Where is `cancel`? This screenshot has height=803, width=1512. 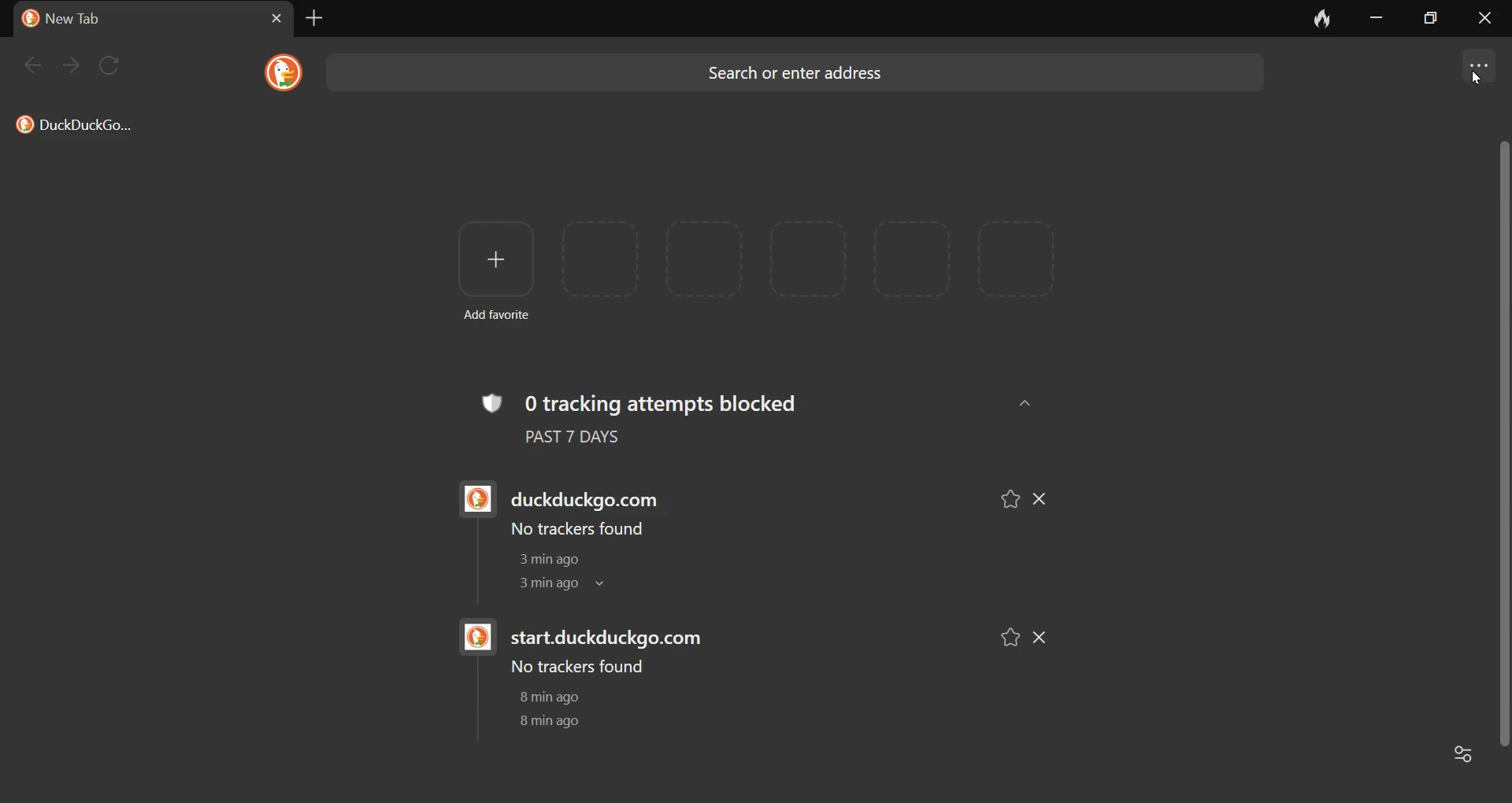
cancel is located at coordinates (265, 17).